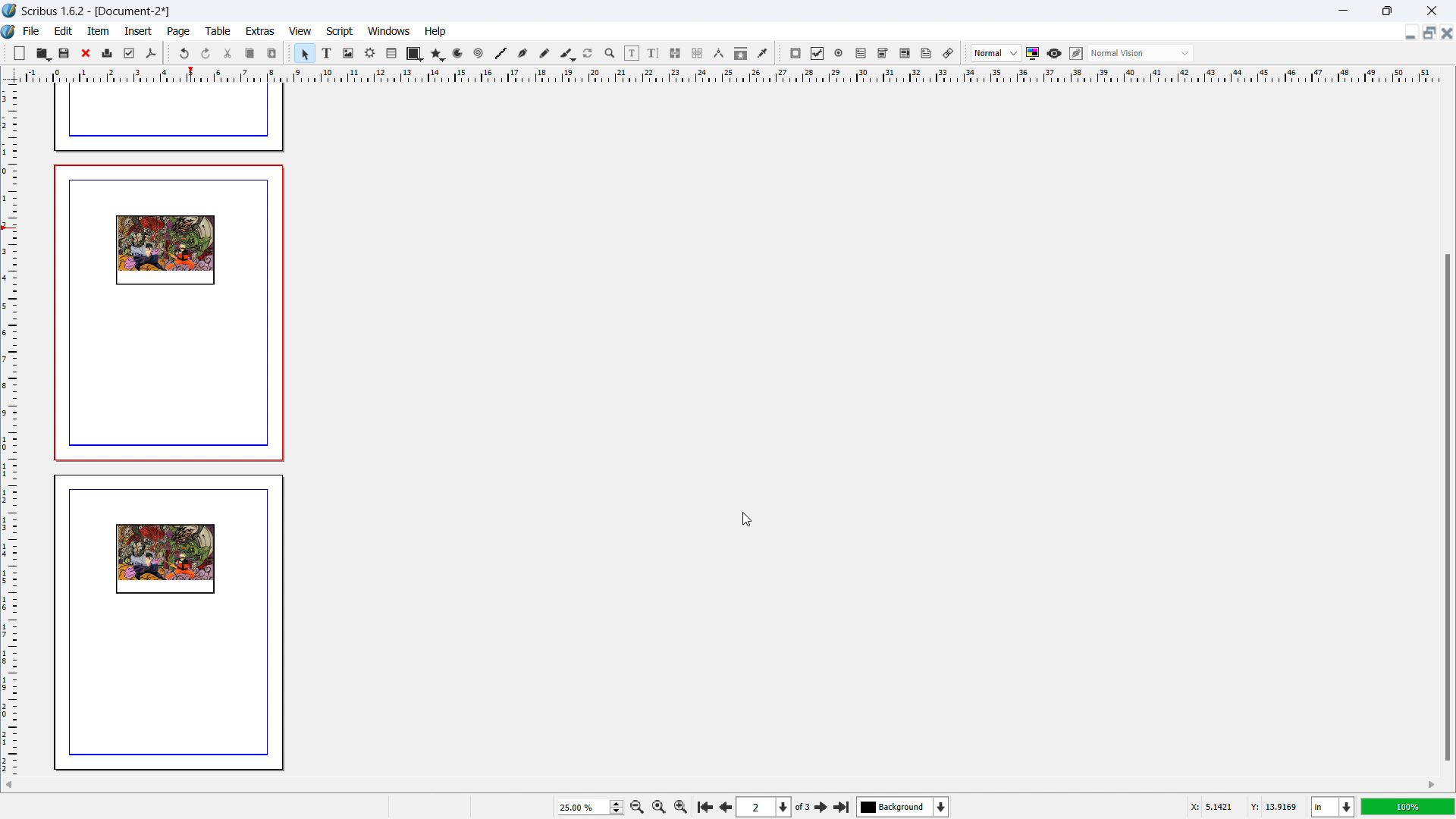  I want to click on help, so click(436, 32).